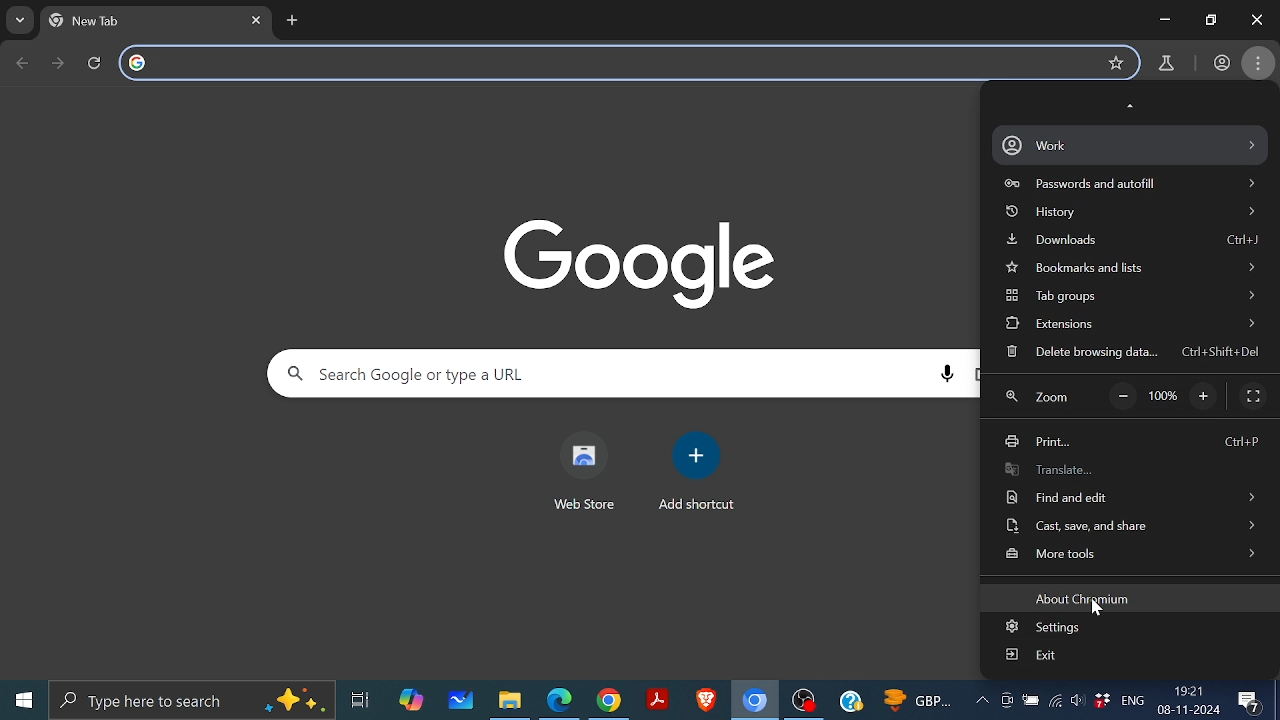  I want to click on Close window, so click(1257, 20).